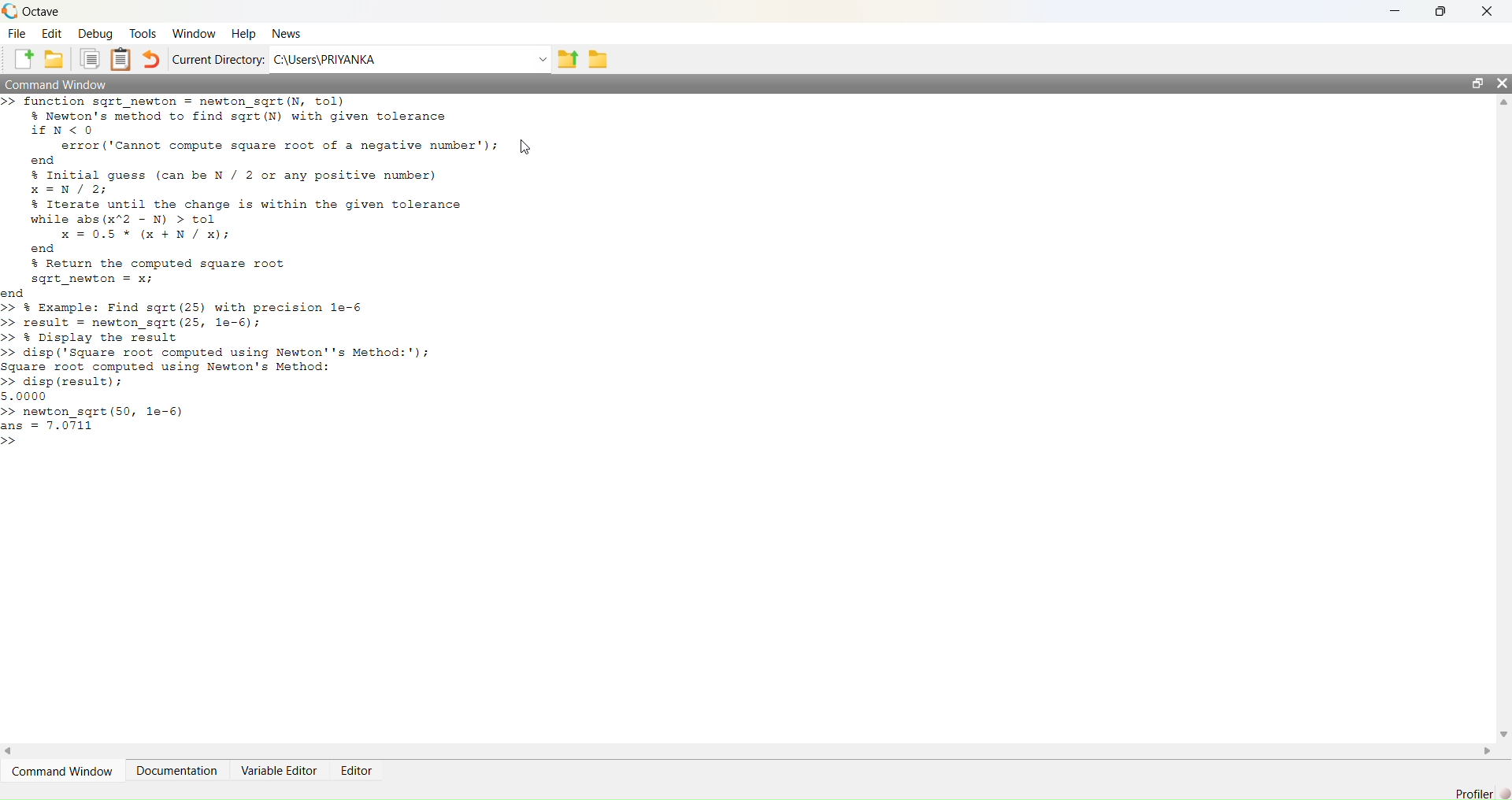 The width and height of the screenshot is (1512, 800). I want to click on Variable Editor, so click(278, 770).